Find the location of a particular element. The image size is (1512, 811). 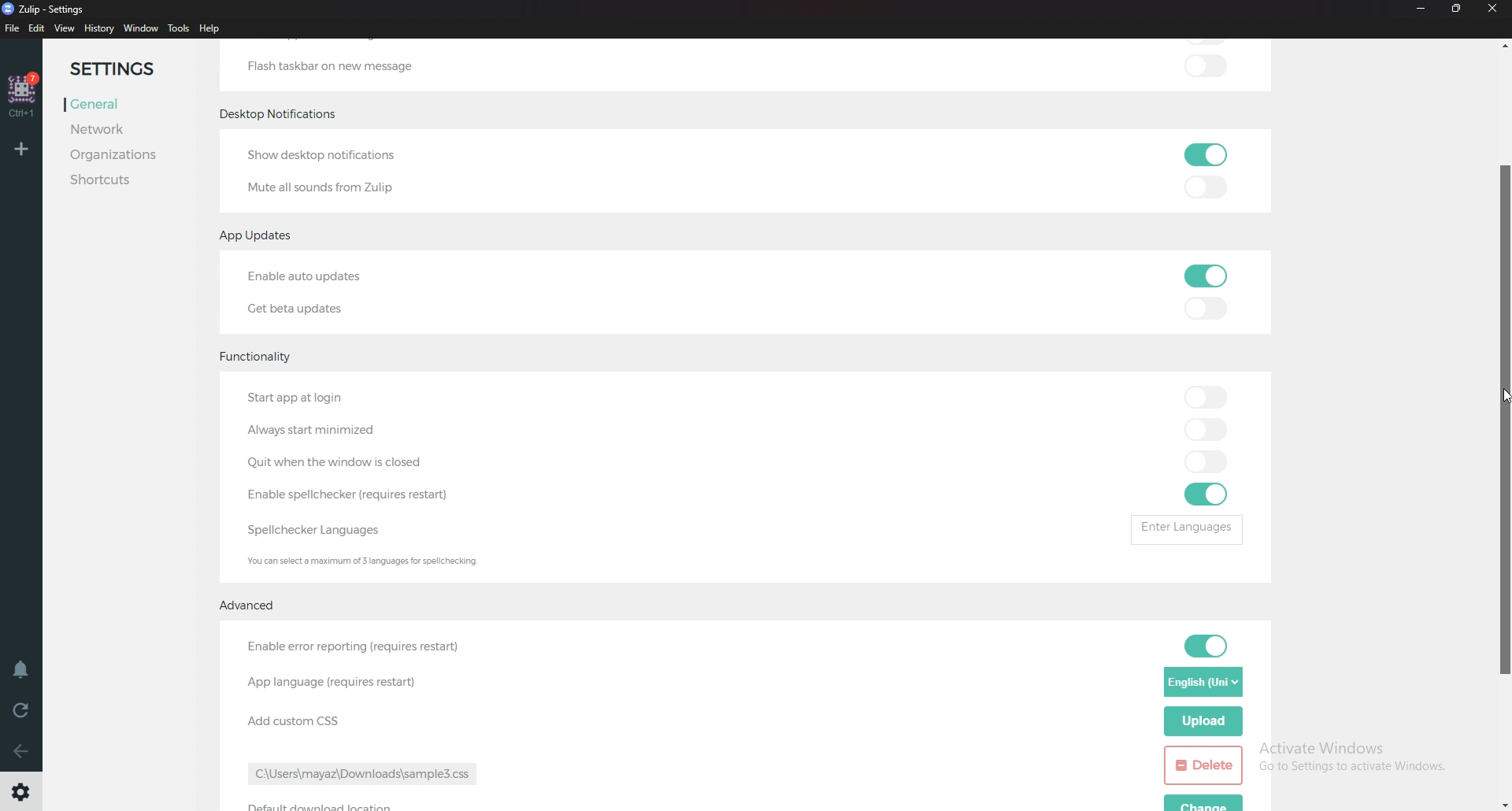

cursor is located at coordinates (1504, 394).